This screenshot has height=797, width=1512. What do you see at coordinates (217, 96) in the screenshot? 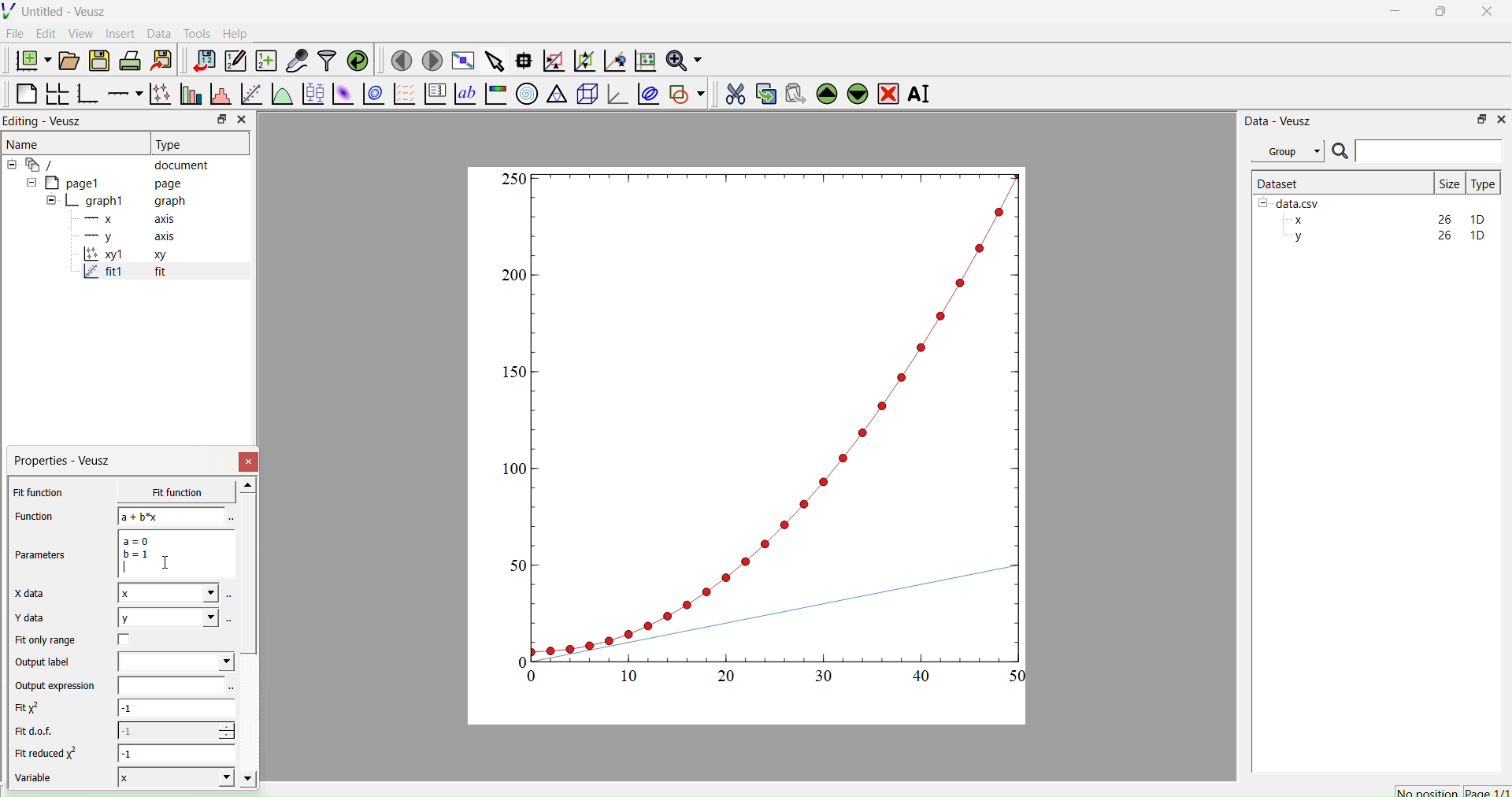
I see `Histogram of a dataset` at bounding box center [217, 96].